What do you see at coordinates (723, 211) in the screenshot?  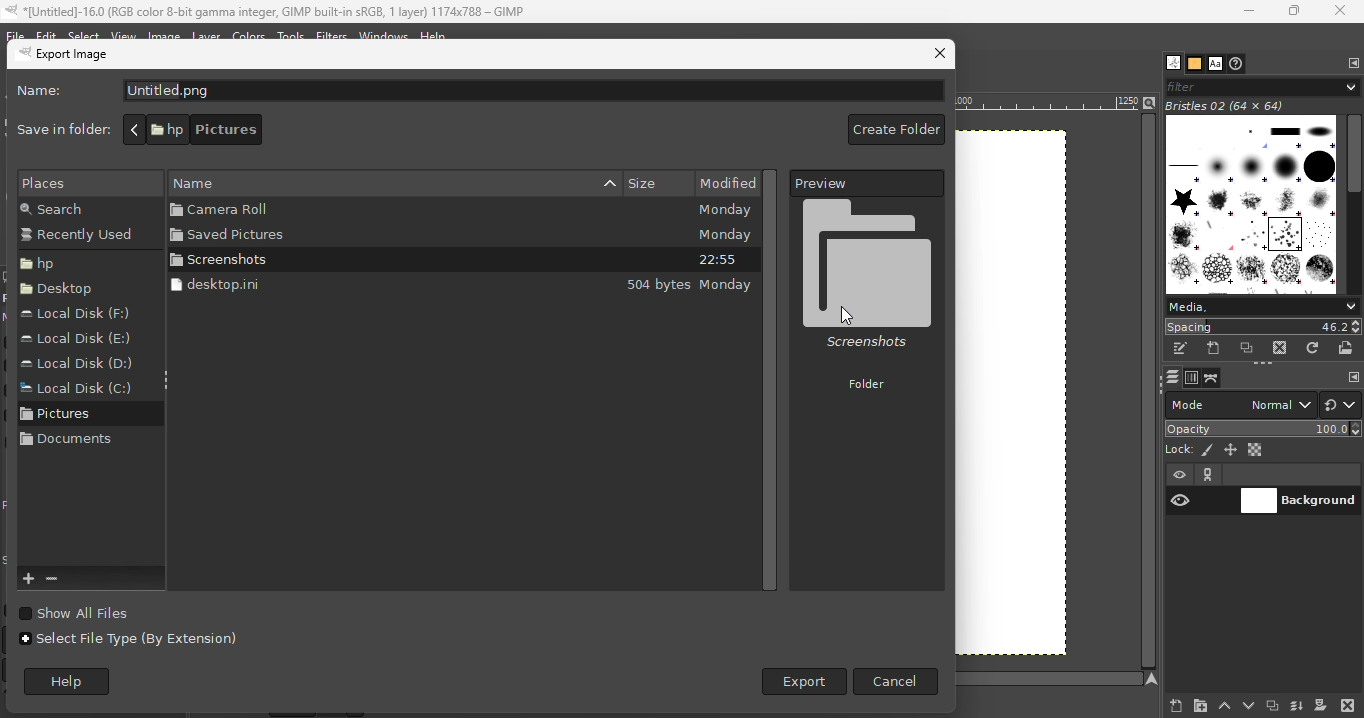 I see `Monday` at bounding box center [723, 211].